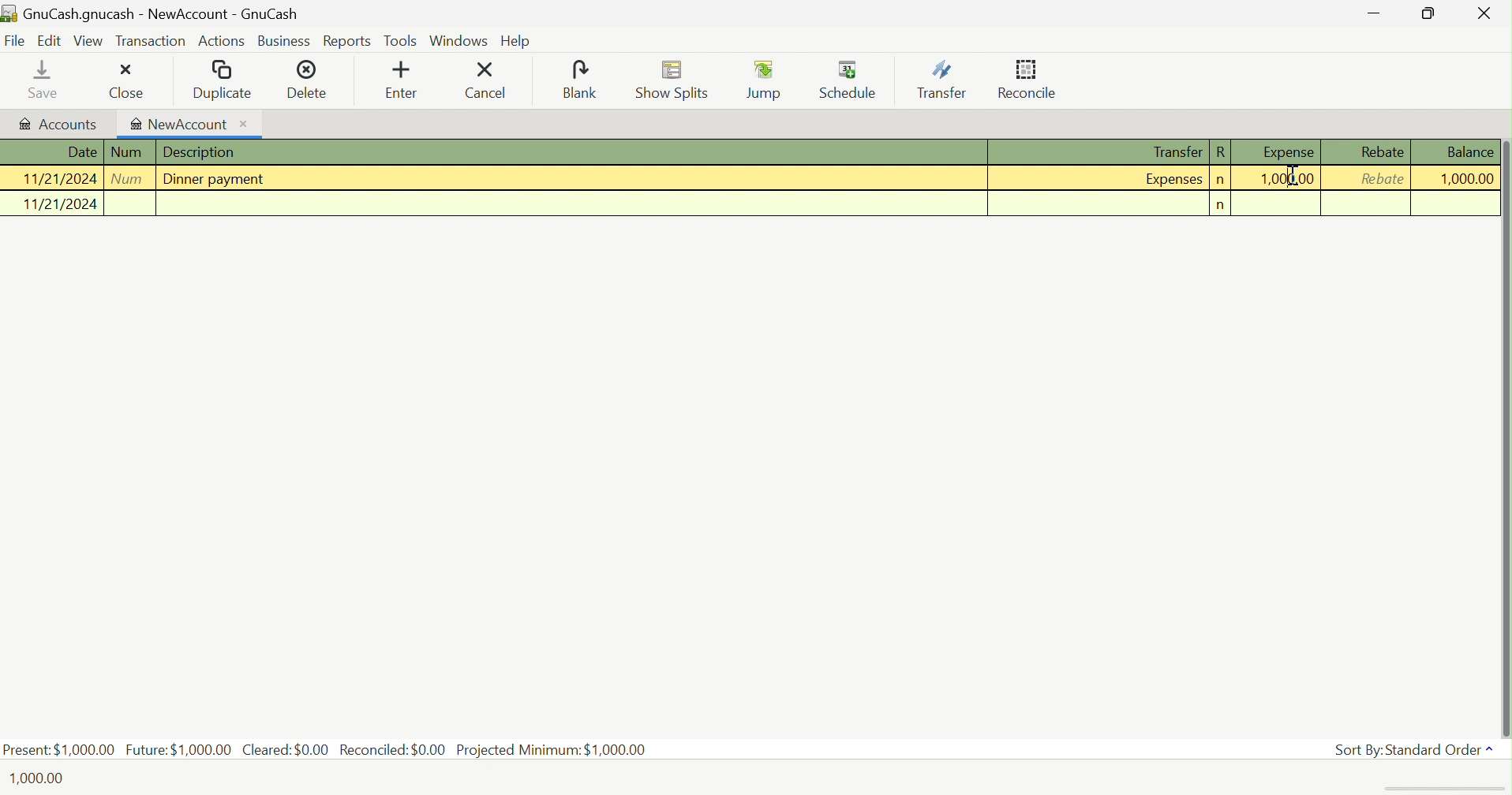  What do you see at coordinates (551, 749) in the screenshot?
I see `Projected Minimum: $1000,00` at bounding box center [551, 749].